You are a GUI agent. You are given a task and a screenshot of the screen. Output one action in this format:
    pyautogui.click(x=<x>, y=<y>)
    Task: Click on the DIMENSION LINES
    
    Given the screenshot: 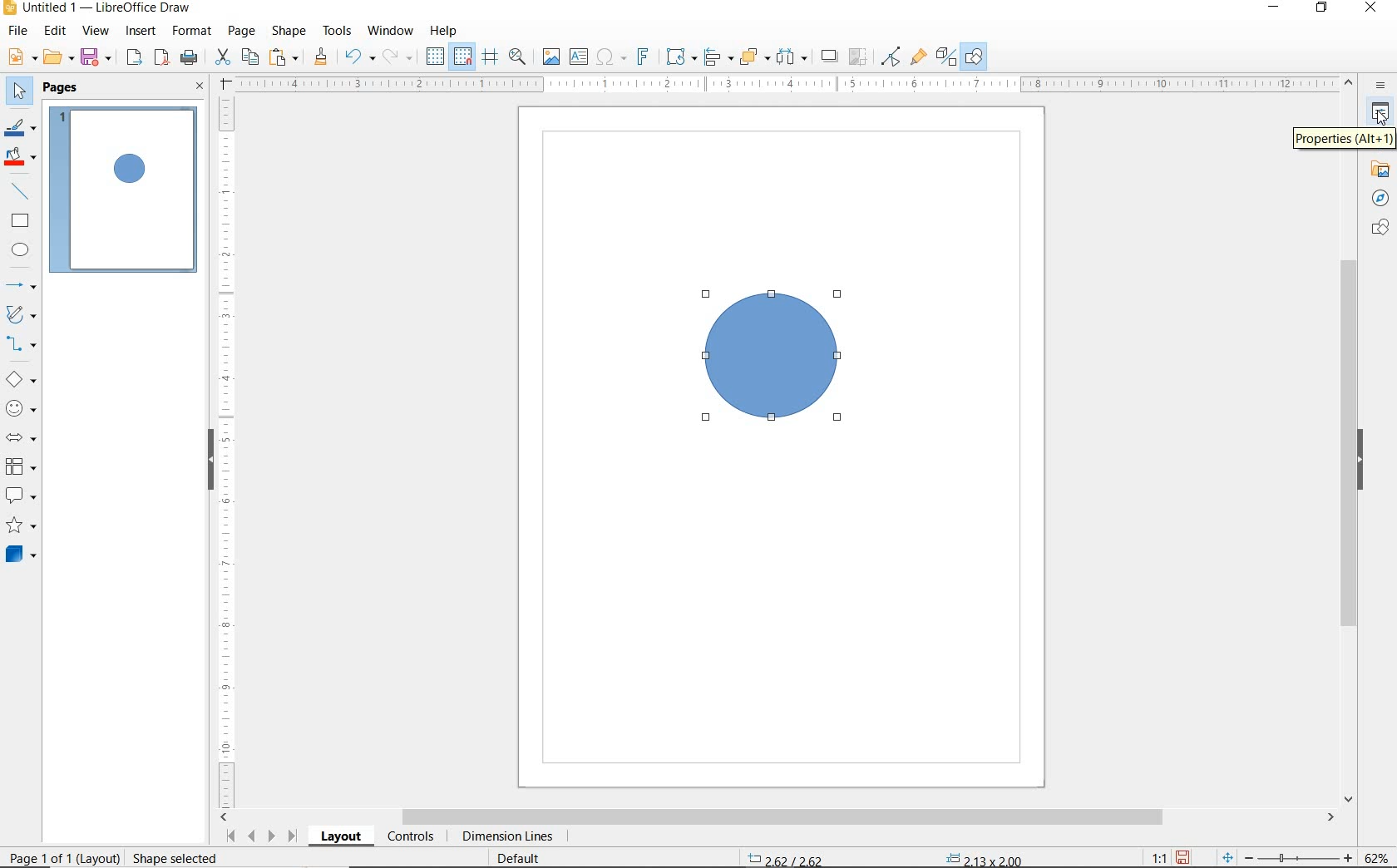 What is the action you would take?
    pyautogui.click(x=511, y=836)
    